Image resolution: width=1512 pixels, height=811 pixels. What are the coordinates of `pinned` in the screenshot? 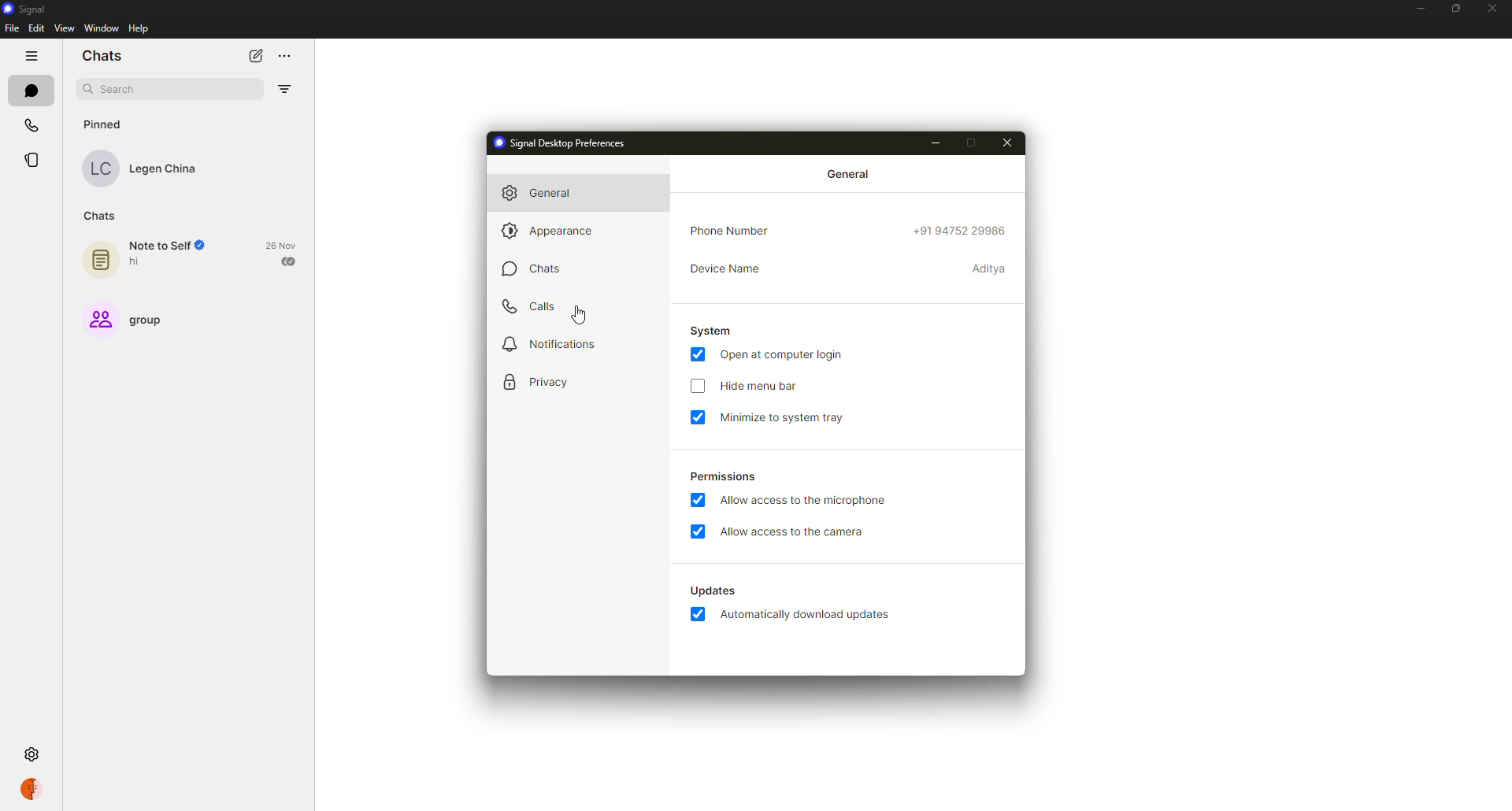 It's located at (105, 124).